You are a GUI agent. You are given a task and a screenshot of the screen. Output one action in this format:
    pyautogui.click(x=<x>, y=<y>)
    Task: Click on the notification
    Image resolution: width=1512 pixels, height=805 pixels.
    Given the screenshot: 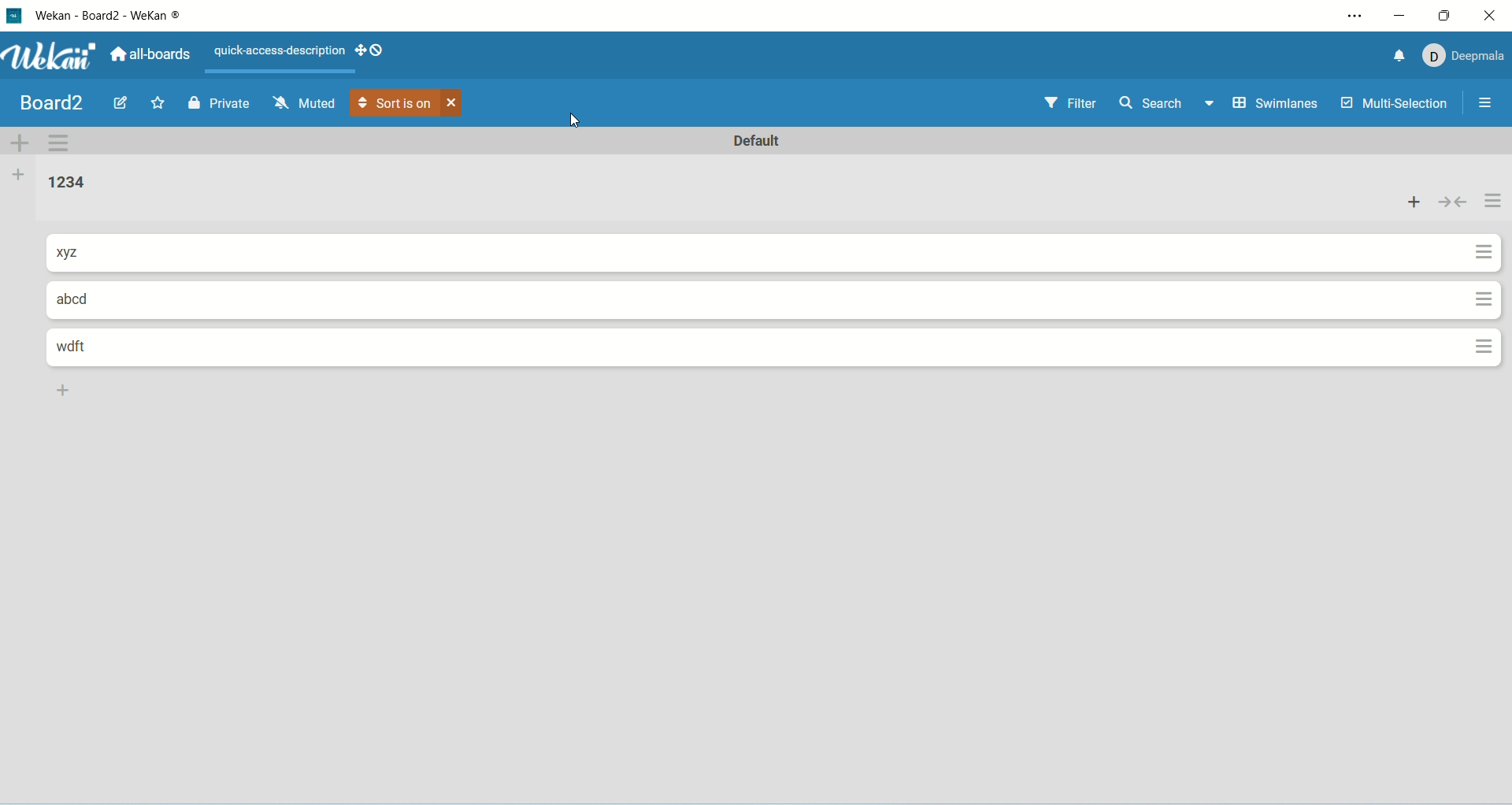 What is the action you would take?
    pyautogui.click(x=1400, y=56)
    